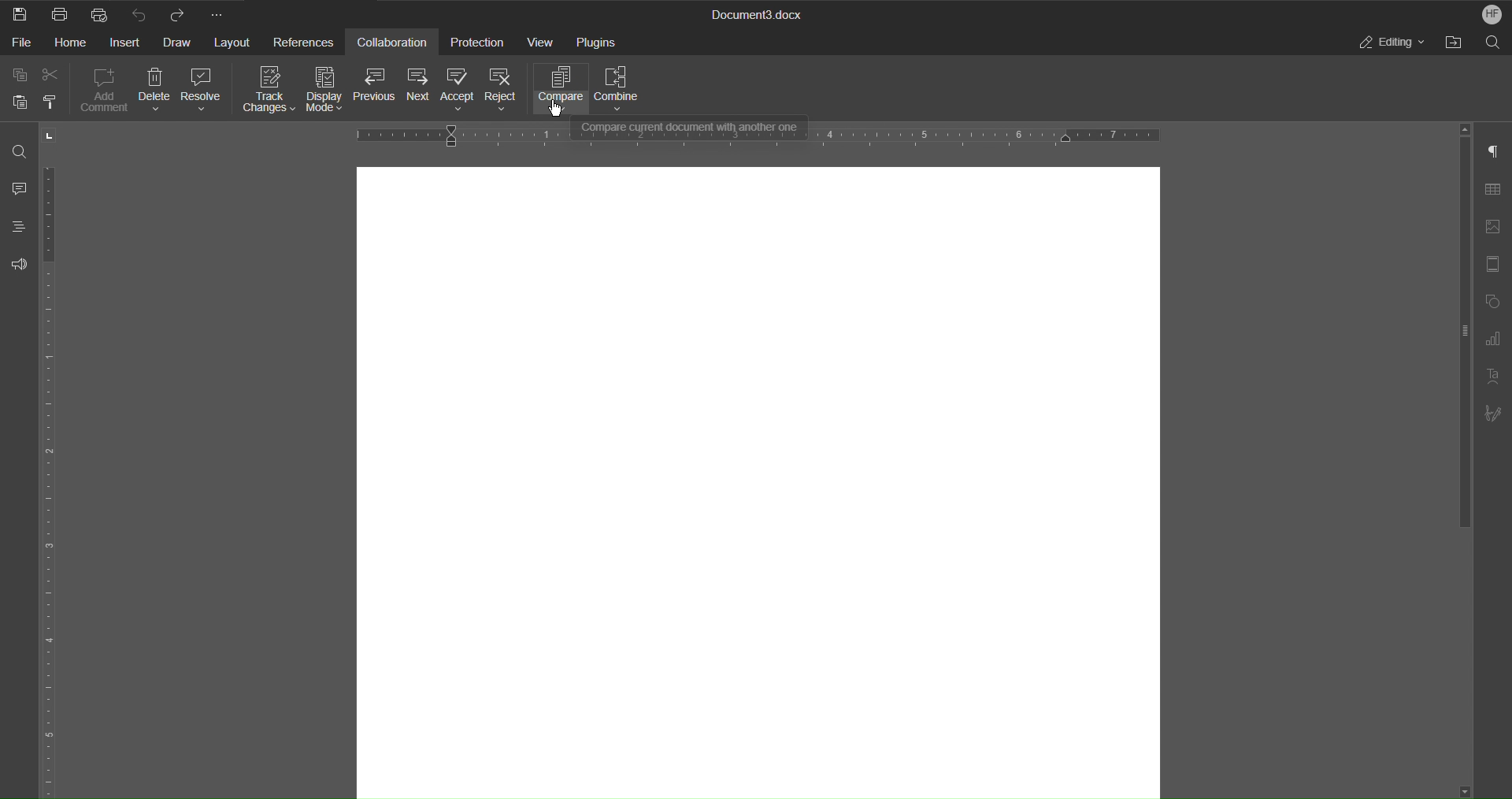 The image size is (1512, 799). What do you see at coordinates (1390, 43) in the screenshot?
I see `Editing` at bounding box center [1390, 43].